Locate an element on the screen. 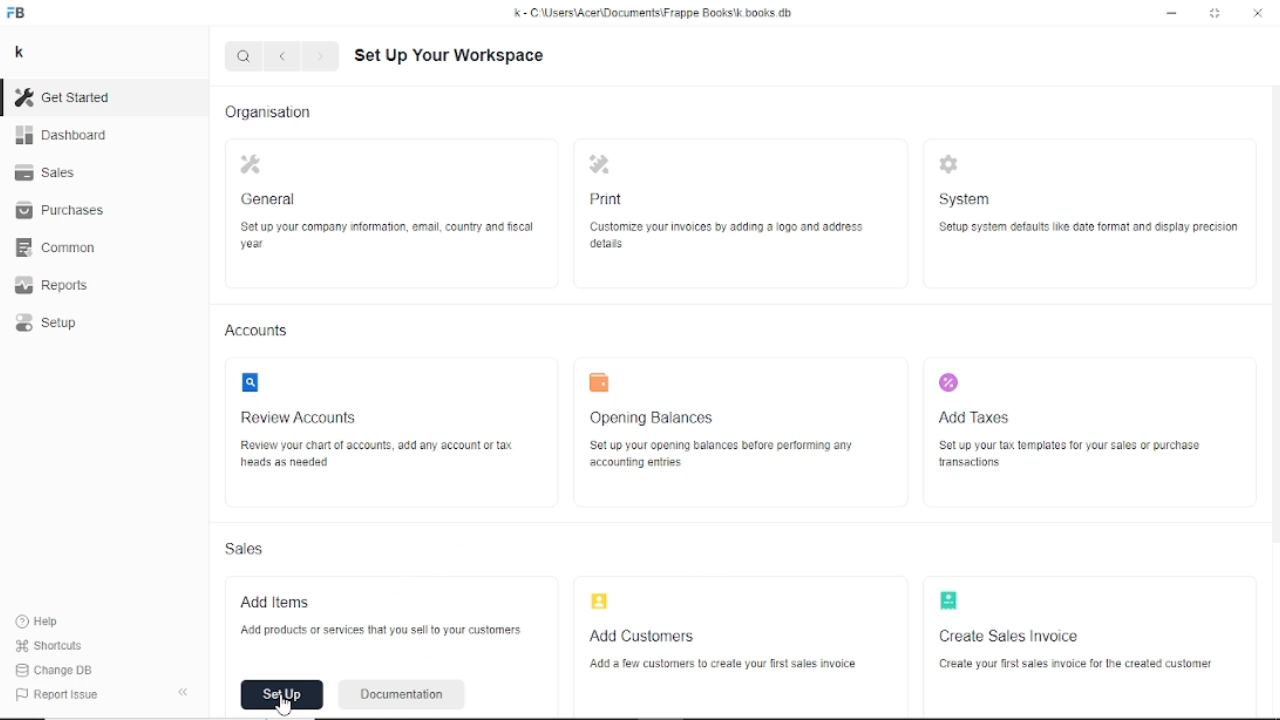 The image size is (1280, 720). Create Sales Invoice   Create your sales invoice for the created customer. is located at coordinates (1074, 631).